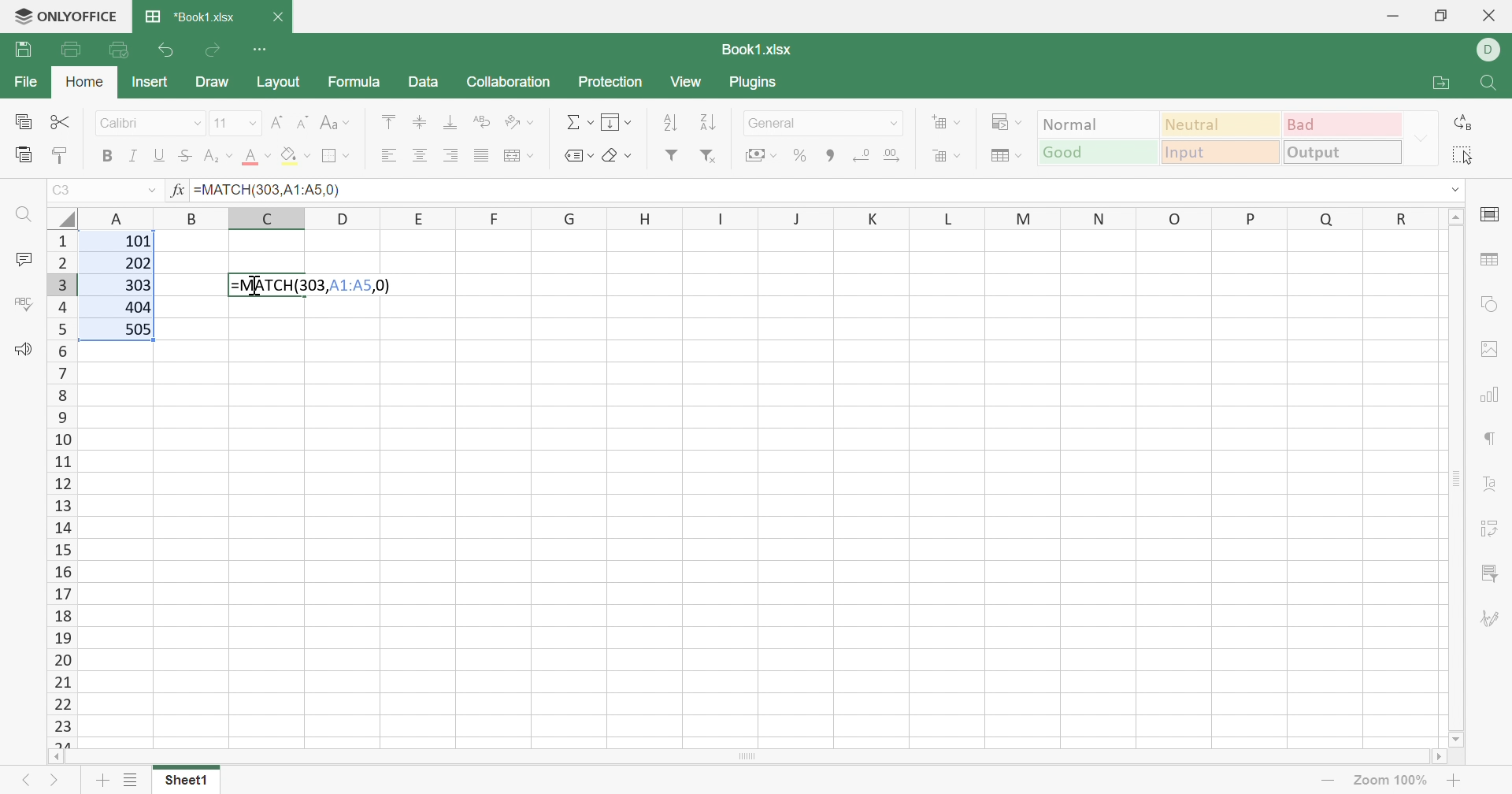 The image size is (1512, 794). I want to click on Book1.xlsx, so click(754, 51).